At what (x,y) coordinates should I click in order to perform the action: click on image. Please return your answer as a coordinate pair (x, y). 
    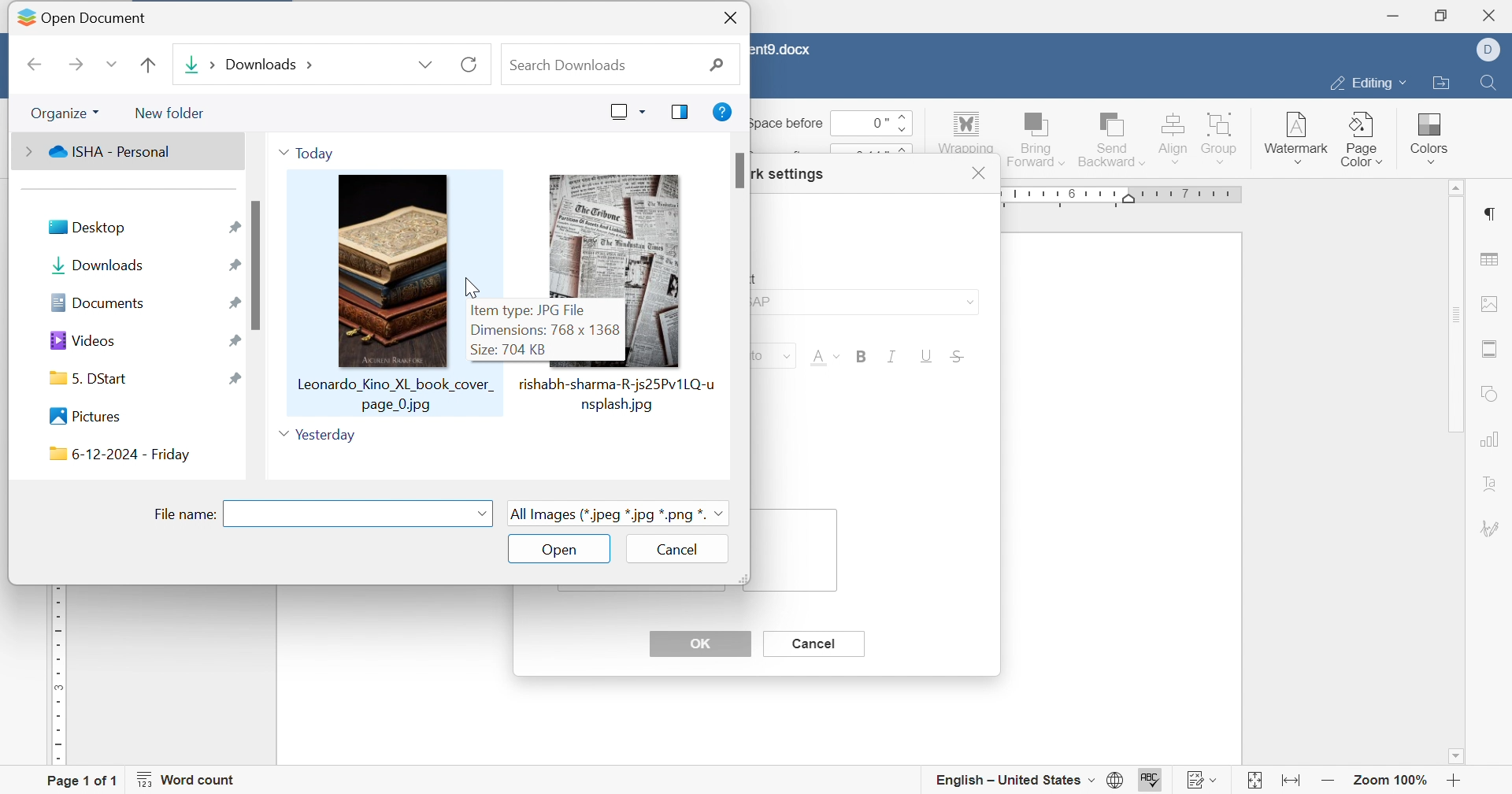
    Looking at the image, I should click on (387, 289).